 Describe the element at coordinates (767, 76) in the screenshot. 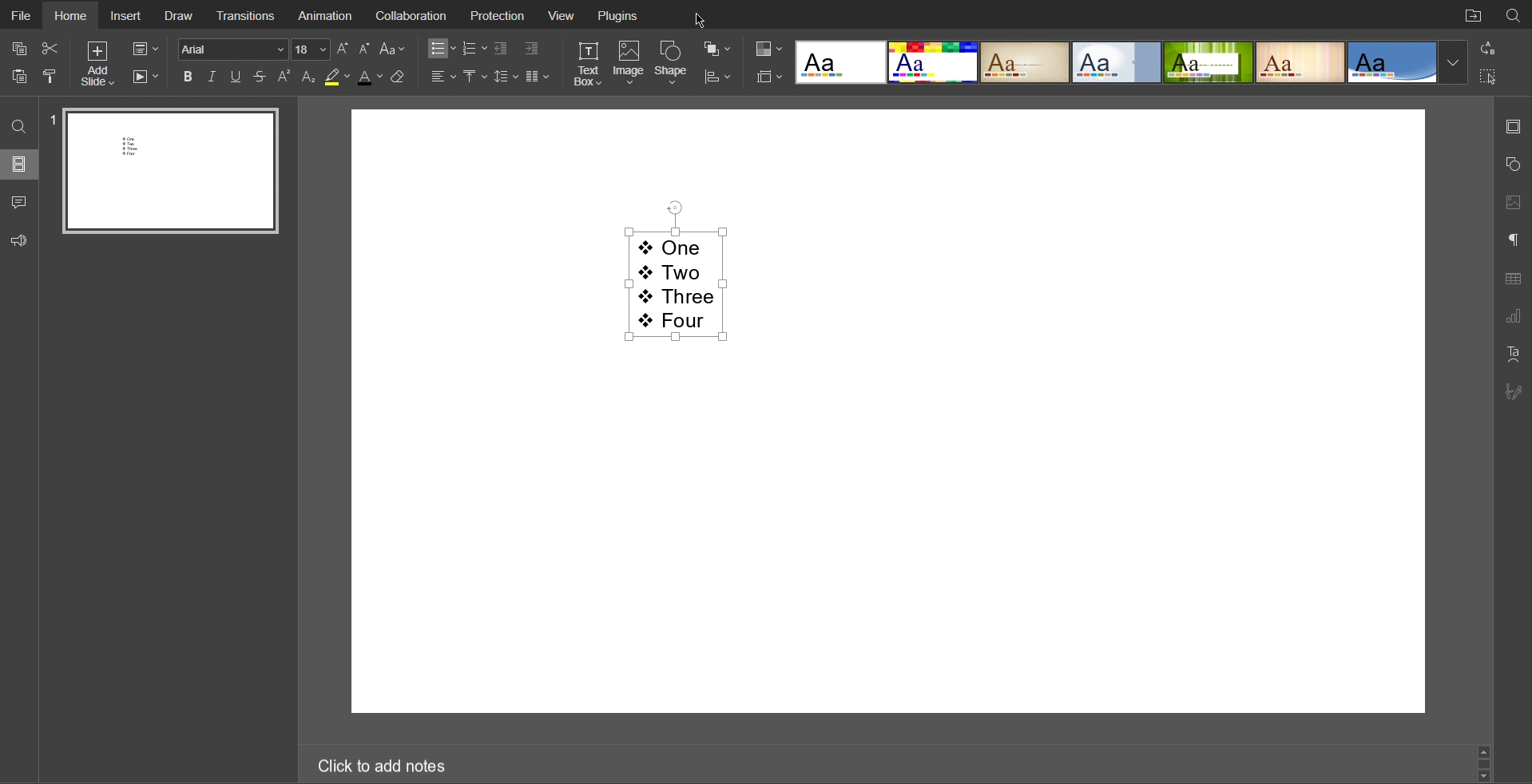

I see `Slide Size` at that location.